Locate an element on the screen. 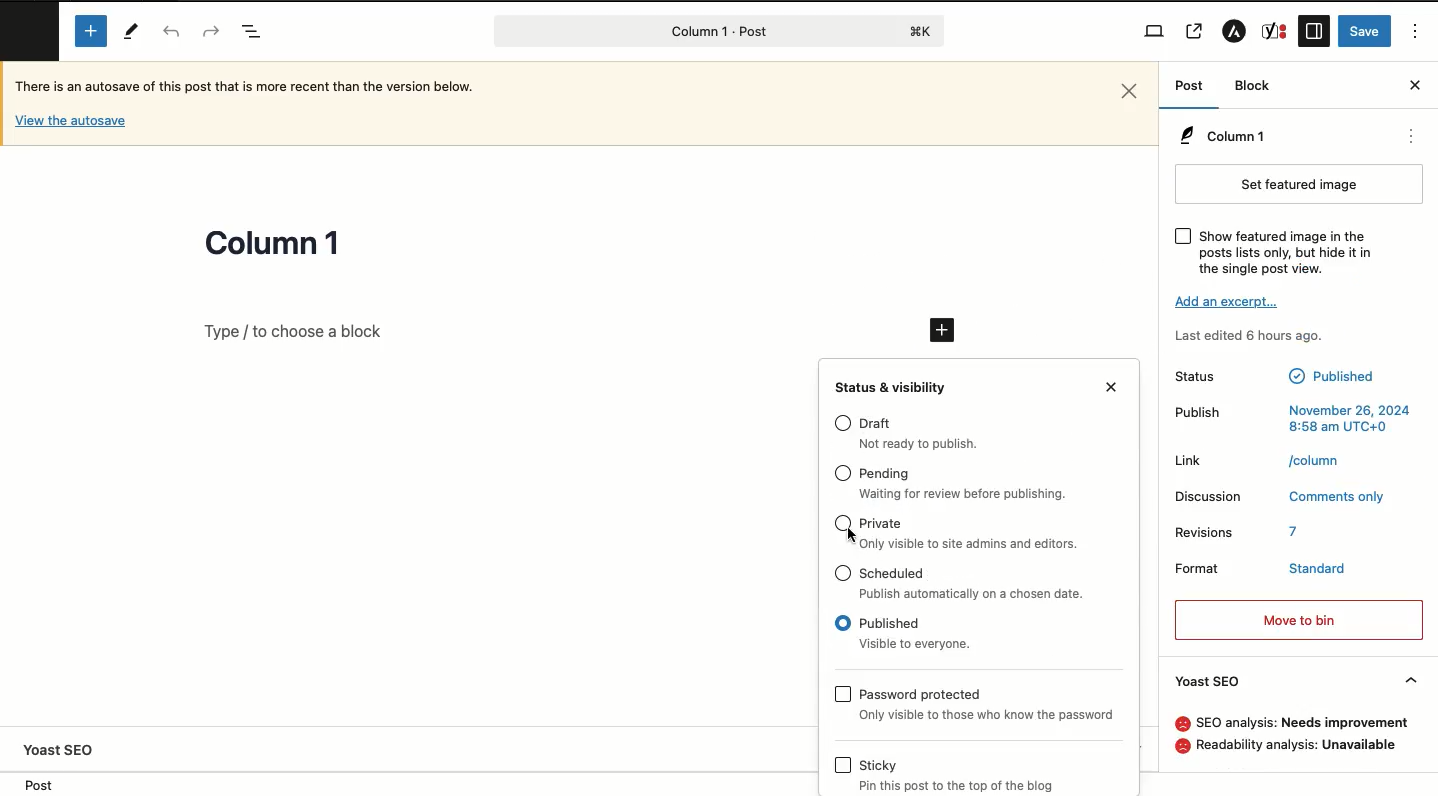  Add block is located at coordinates (545, 331).